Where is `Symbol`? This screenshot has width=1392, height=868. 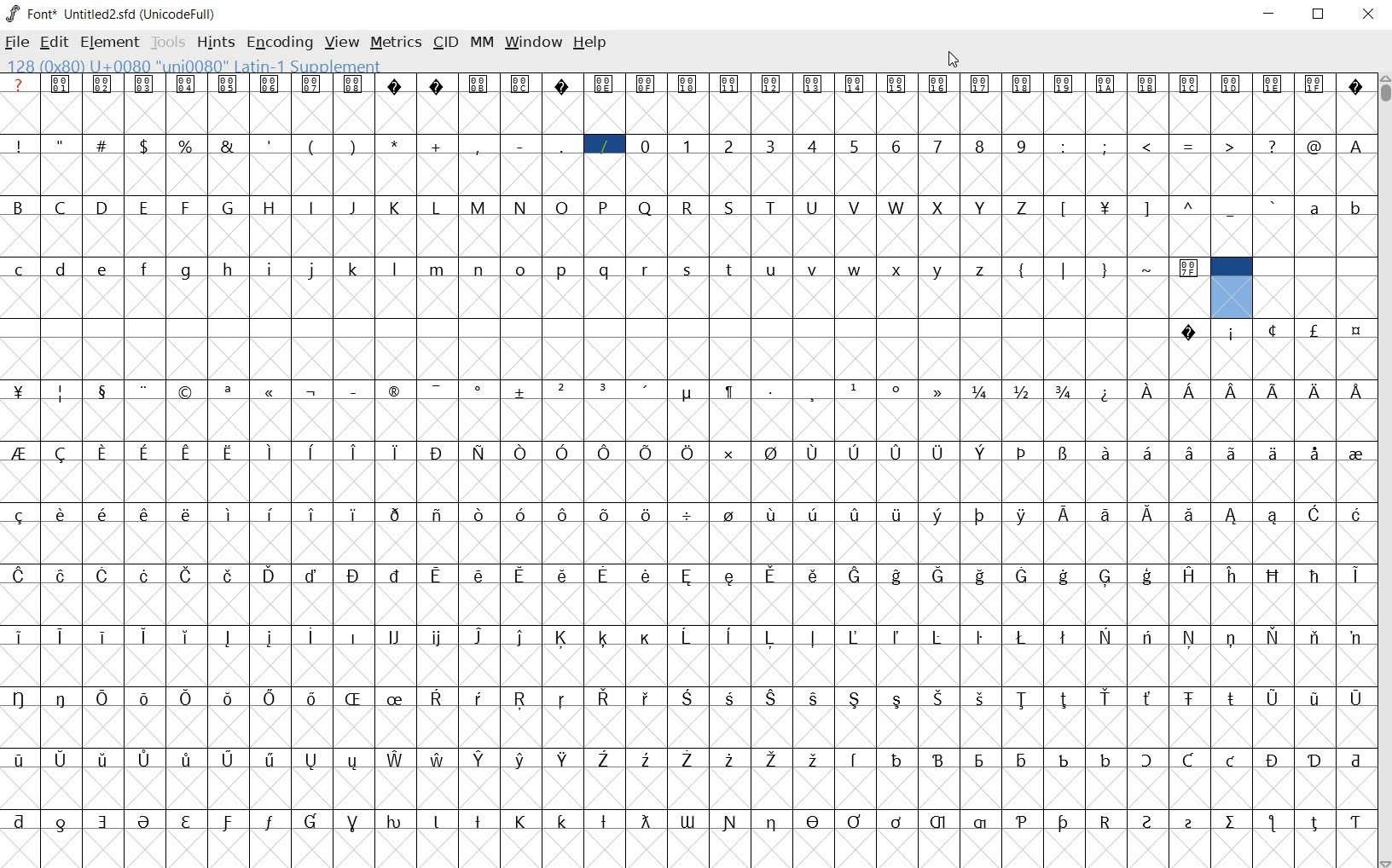 Symbol is located at coordinates (1231, 513).